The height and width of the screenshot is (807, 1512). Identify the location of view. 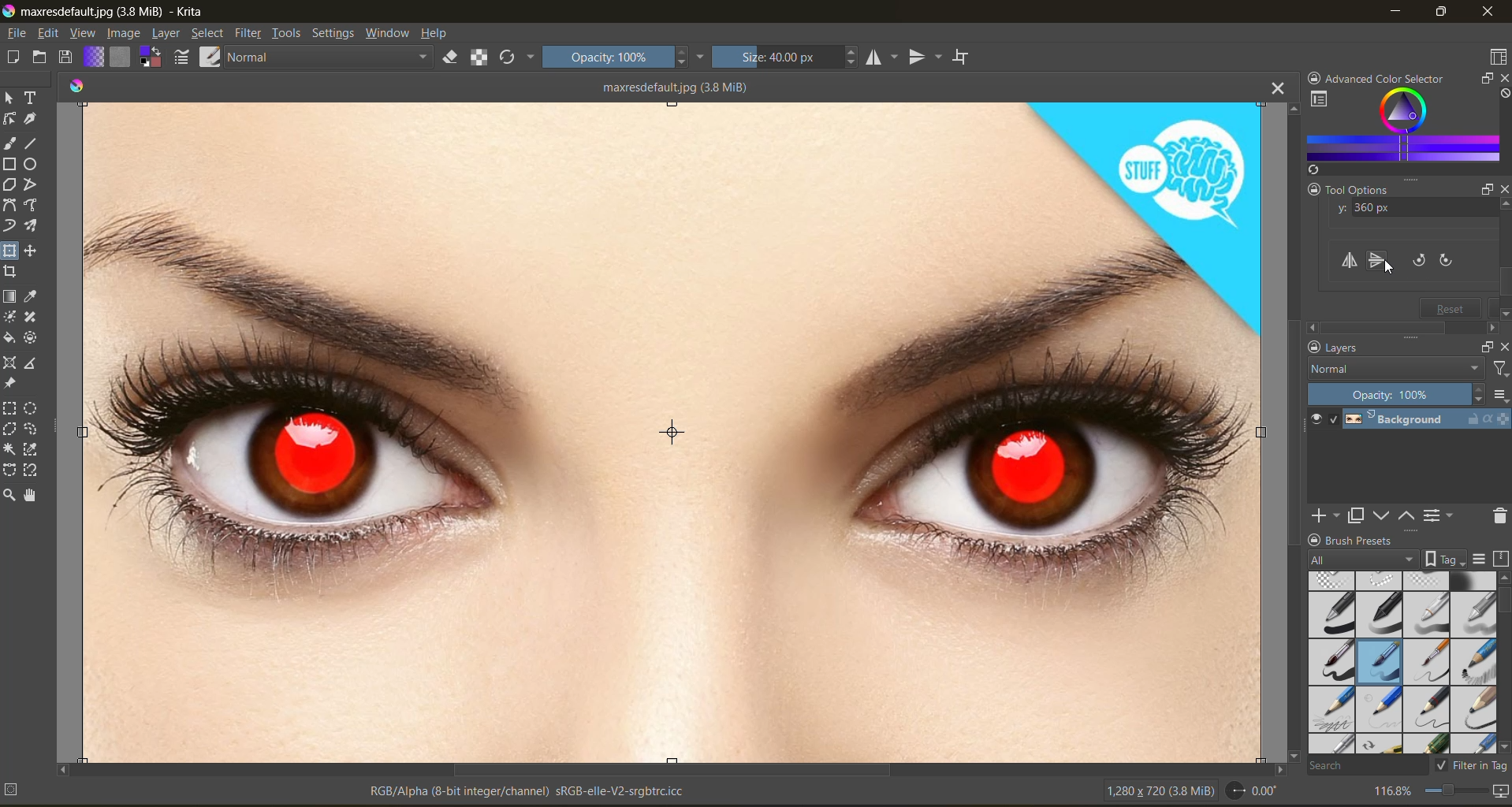
(82, 33).